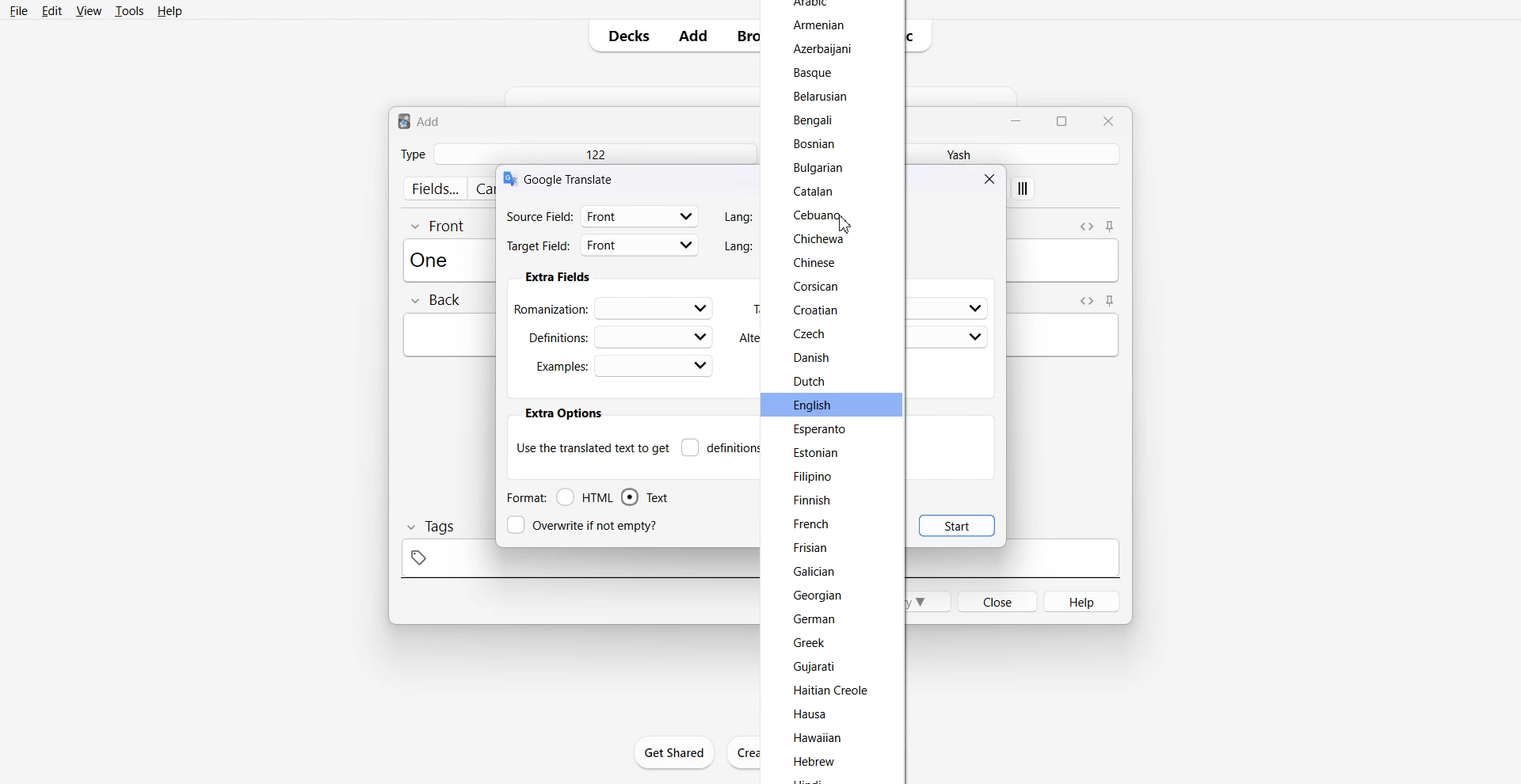  I want to click on Format, so click(525, 497).